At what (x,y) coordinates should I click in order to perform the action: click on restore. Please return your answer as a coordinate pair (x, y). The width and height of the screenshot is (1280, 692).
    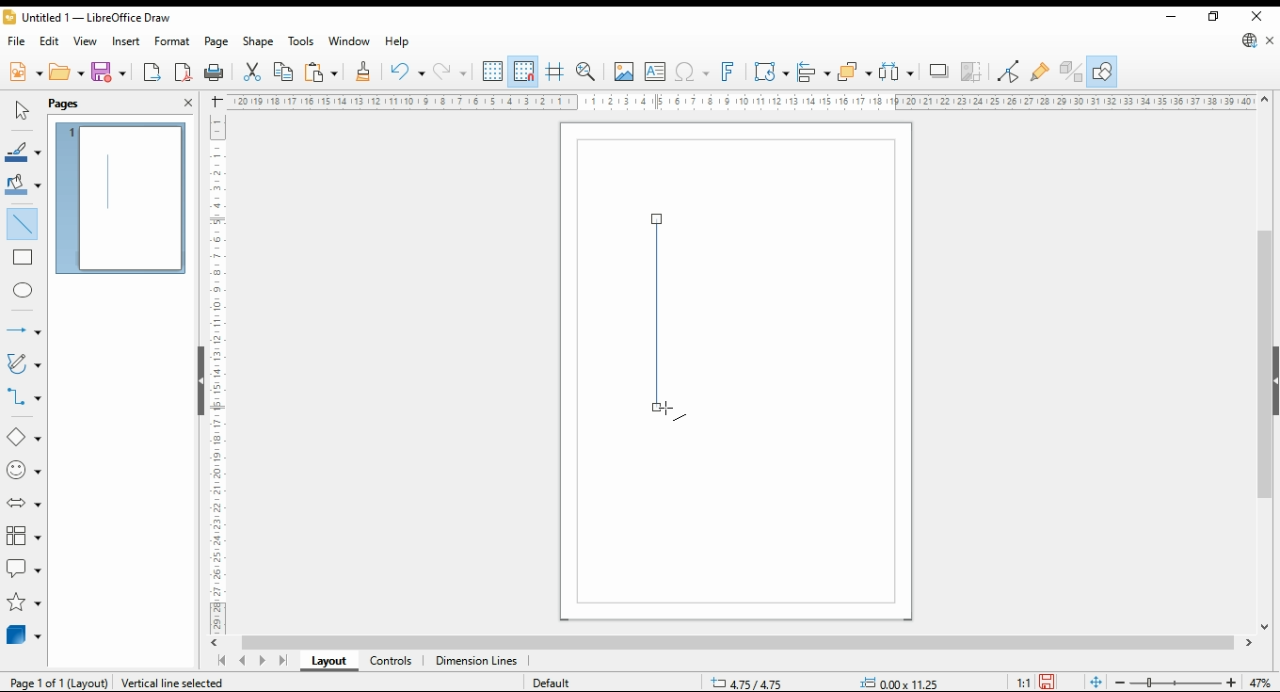
    Looking at the image, I should click on (1216, 16).